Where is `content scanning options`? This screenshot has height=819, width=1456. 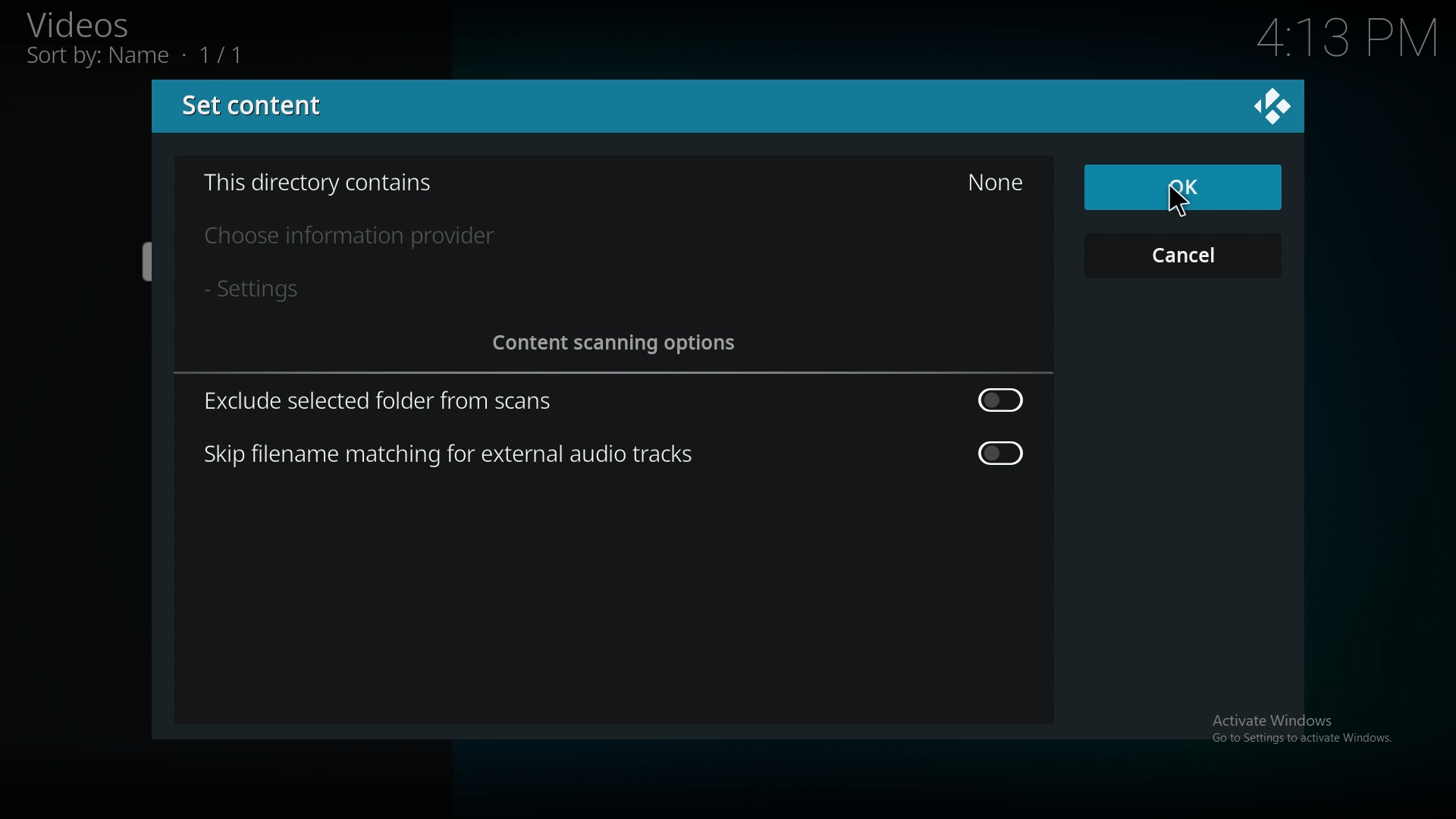
content scanning options is located at coordinates (623, 343).